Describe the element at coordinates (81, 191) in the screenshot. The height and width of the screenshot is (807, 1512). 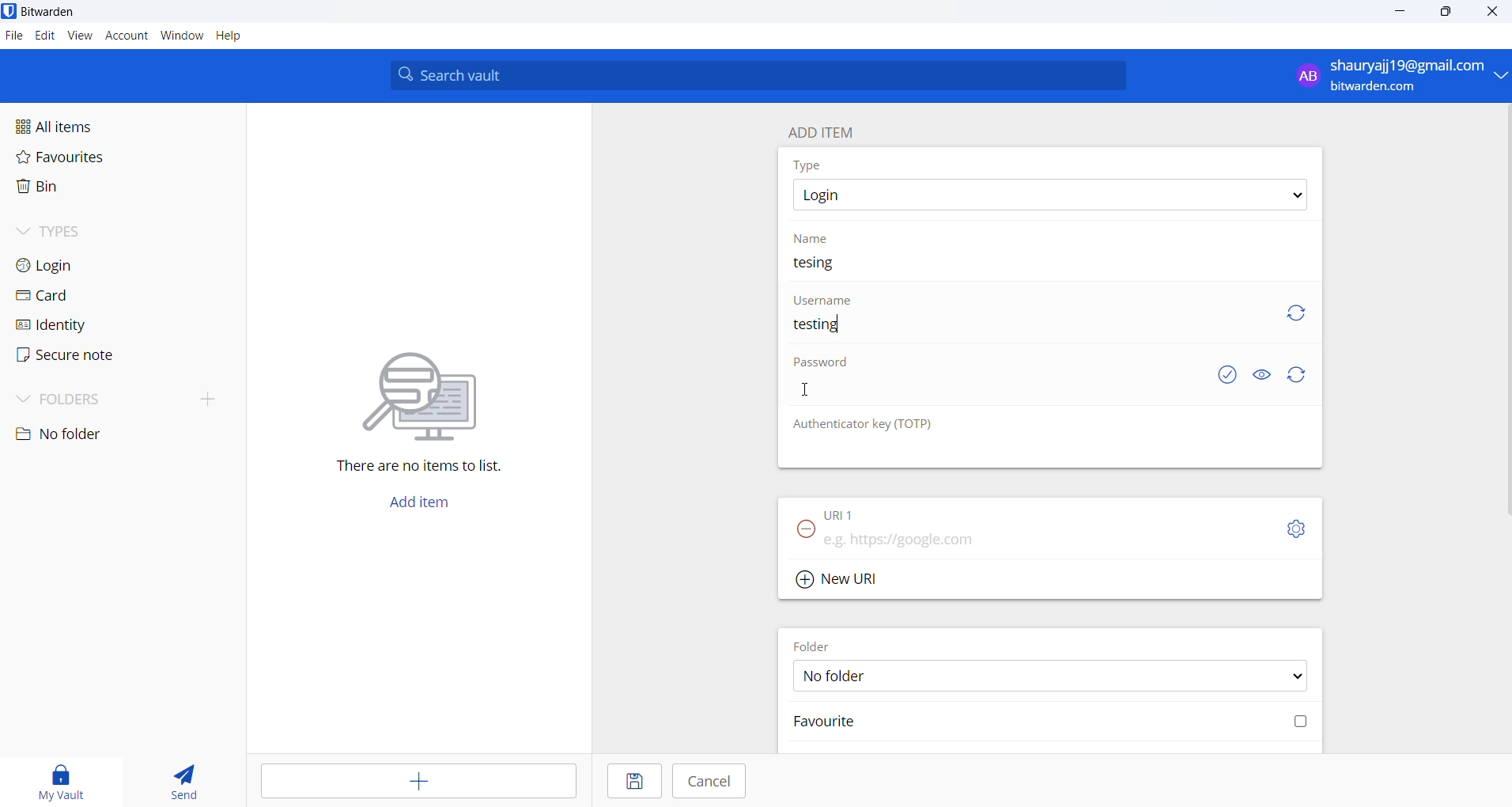
I see `bin` at that location.